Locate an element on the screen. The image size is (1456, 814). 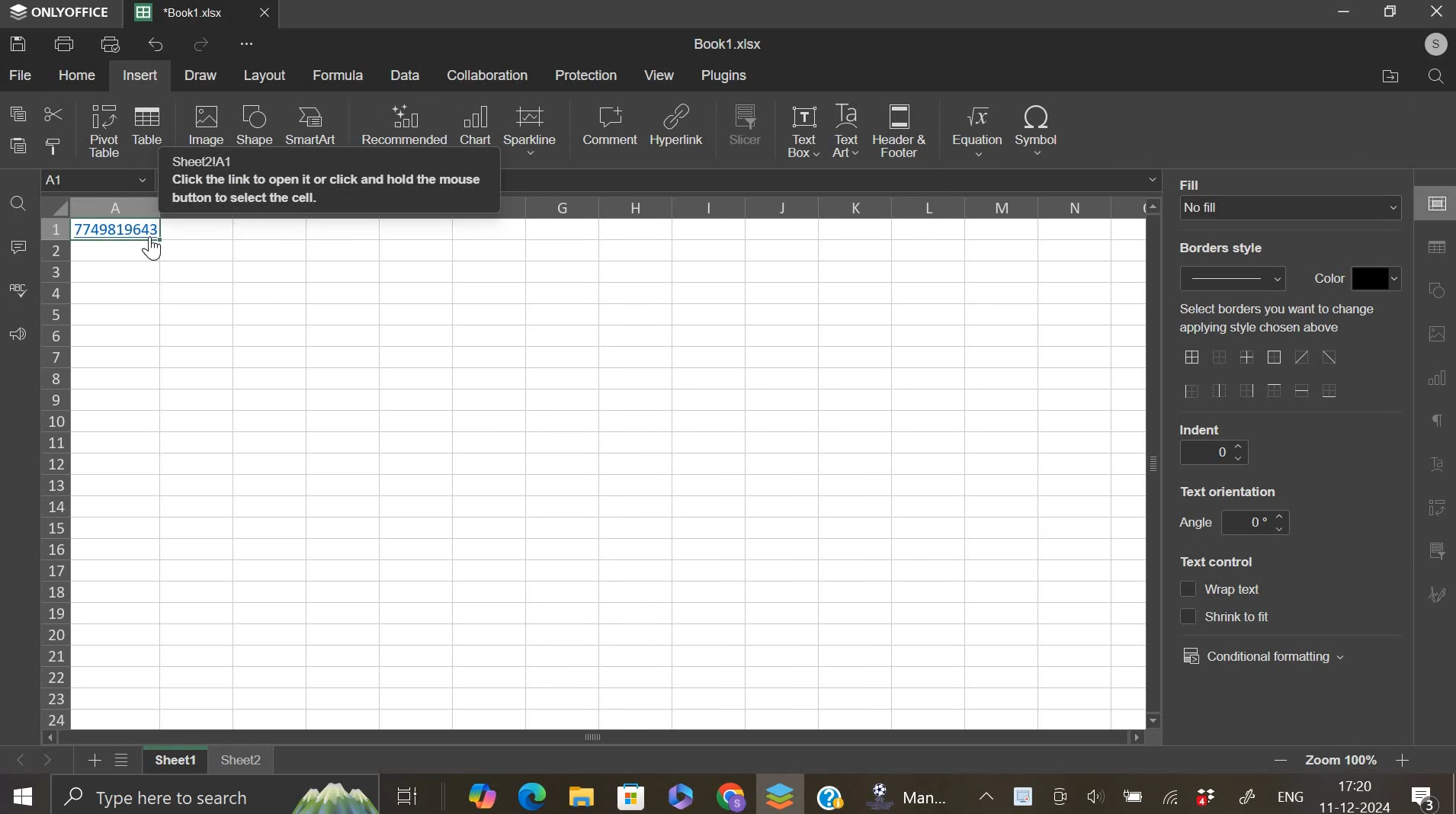
Close is located at coordinates (1437, 12).